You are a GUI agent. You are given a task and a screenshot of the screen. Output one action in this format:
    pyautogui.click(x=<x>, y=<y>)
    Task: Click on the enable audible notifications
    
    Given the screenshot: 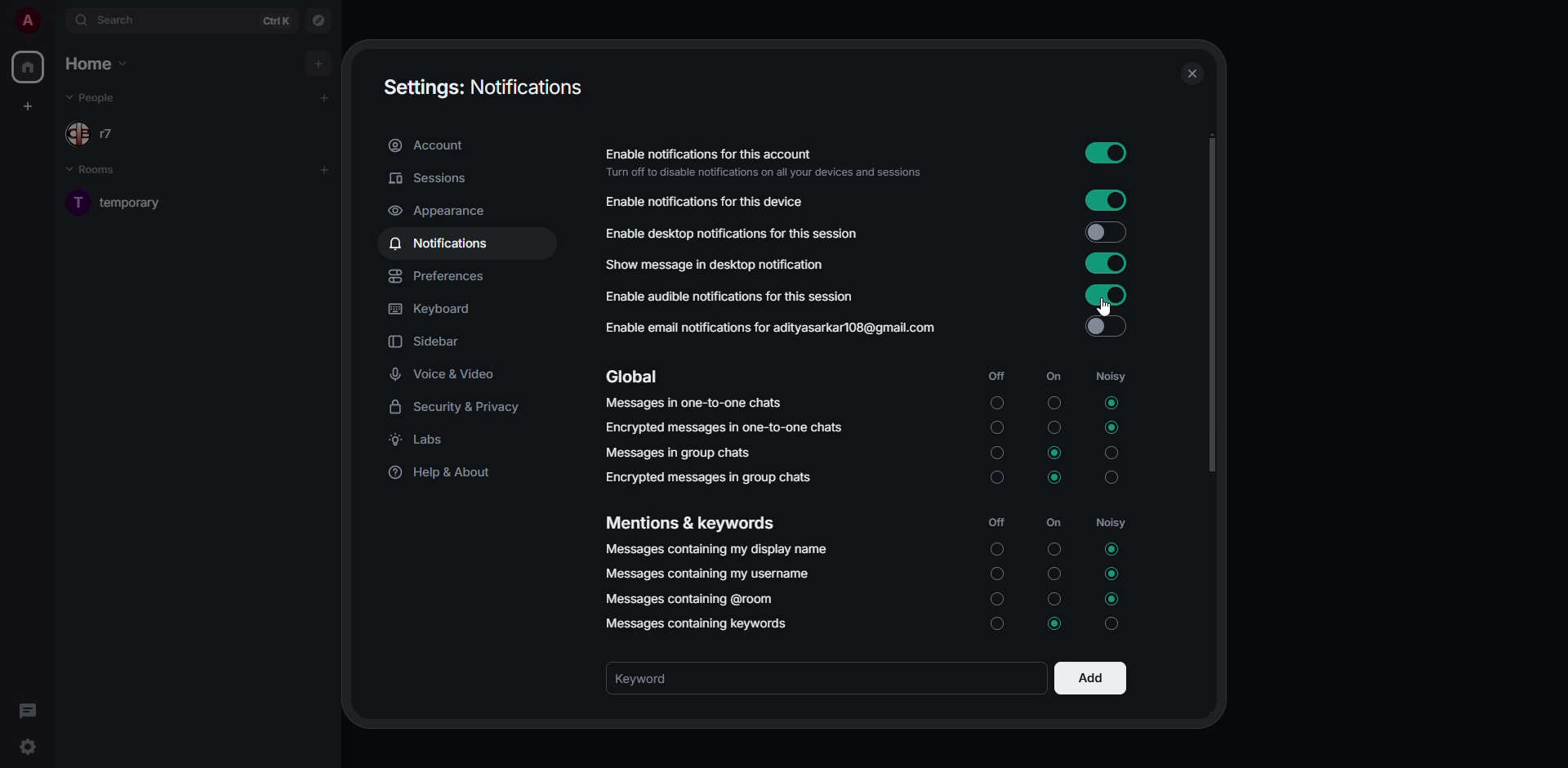 What is the action you would take?
    pyautogui.click(x=732, y=295)
    